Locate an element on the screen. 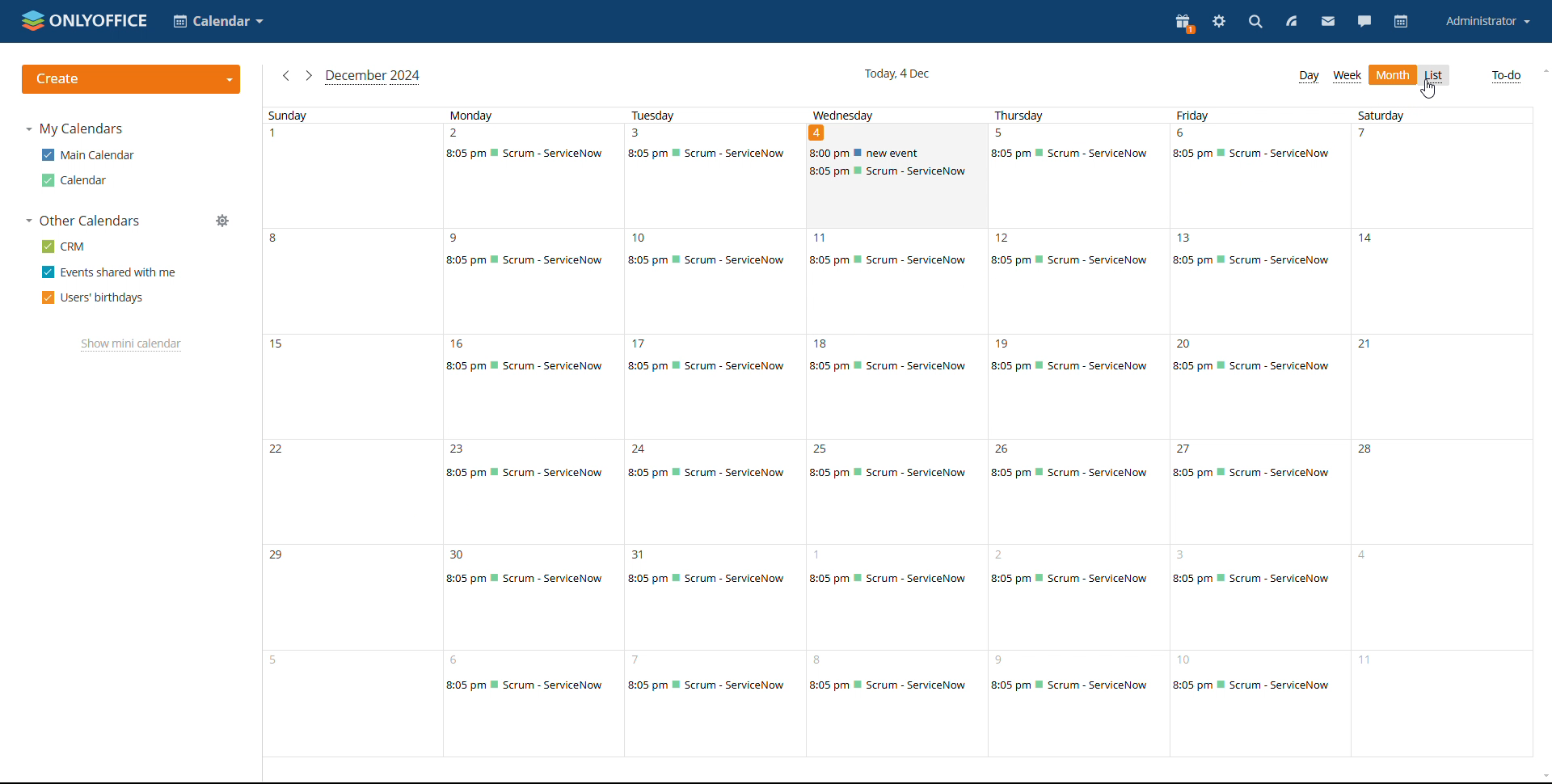 This screenshot has width=1552, height=784. 7 is located at coordinates (1358, 134).